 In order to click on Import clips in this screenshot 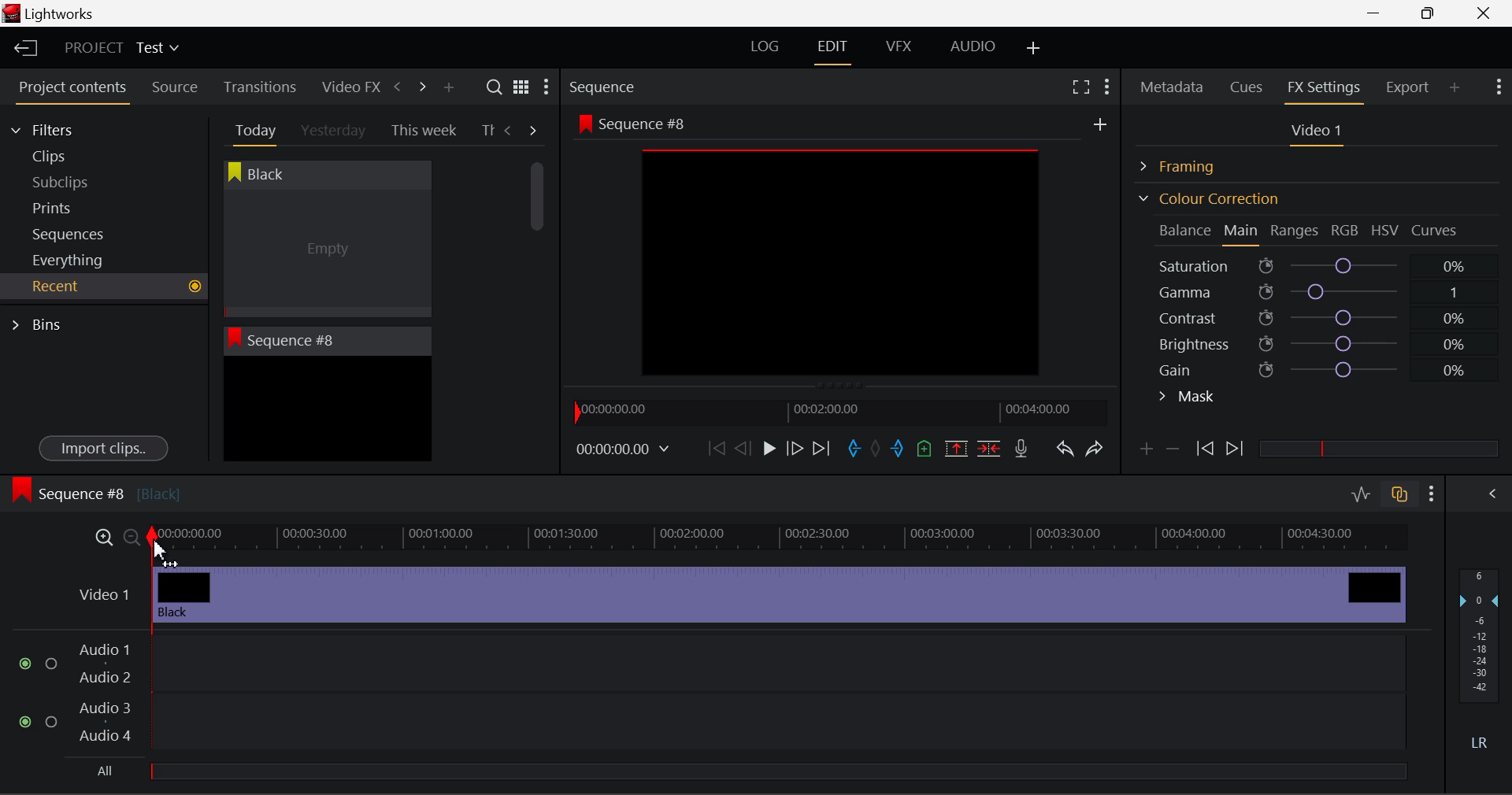, I will do `click(103, 449)`.